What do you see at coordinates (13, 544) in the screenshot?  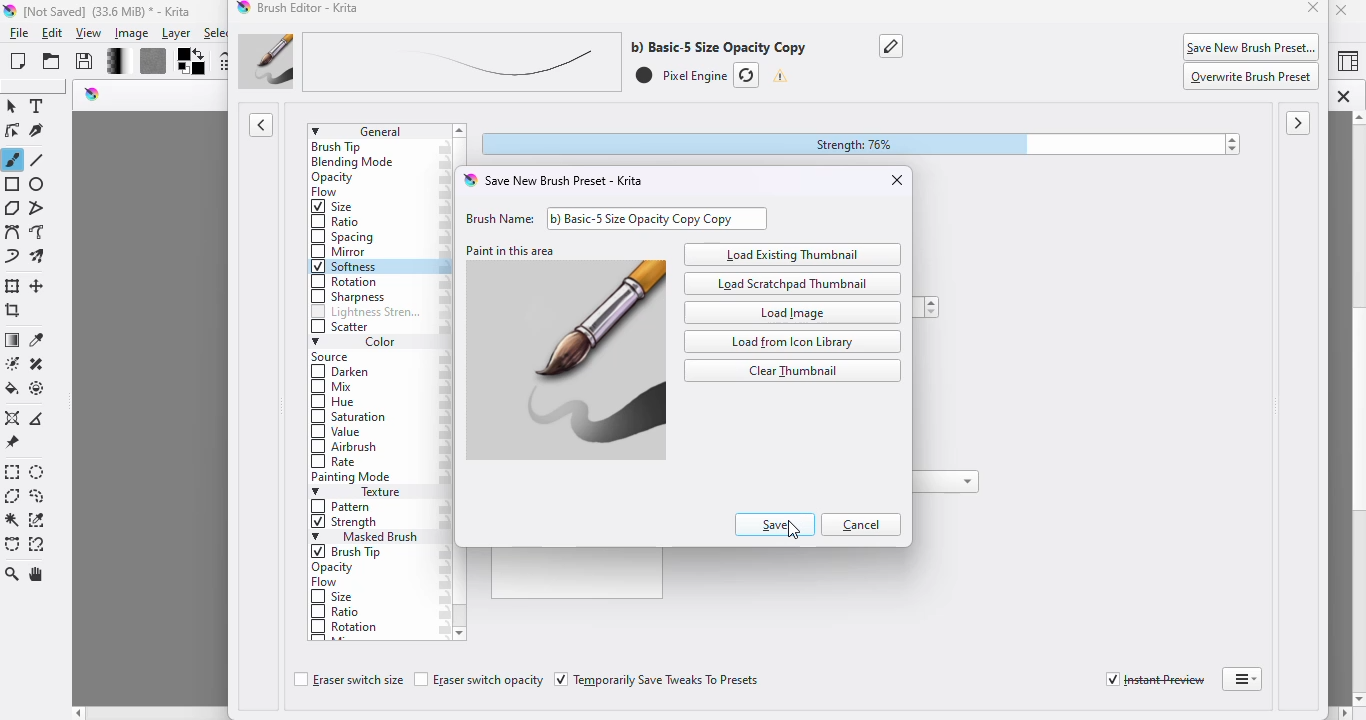 I see `bezier curve selection tool` at bounding box center [13, 544].